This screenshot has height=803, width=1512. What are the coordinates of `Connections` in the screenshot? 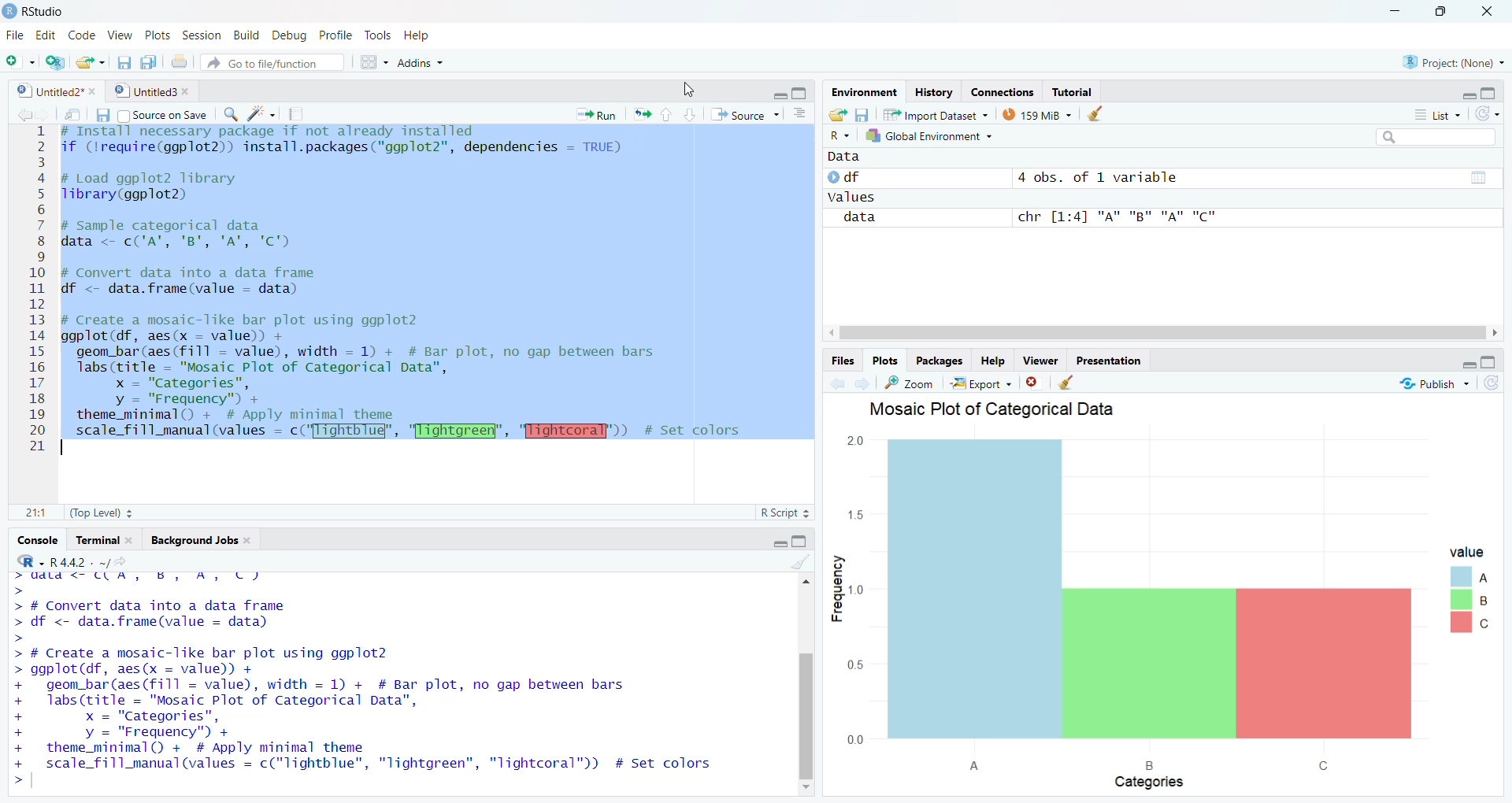 It's located at (1004, 92).